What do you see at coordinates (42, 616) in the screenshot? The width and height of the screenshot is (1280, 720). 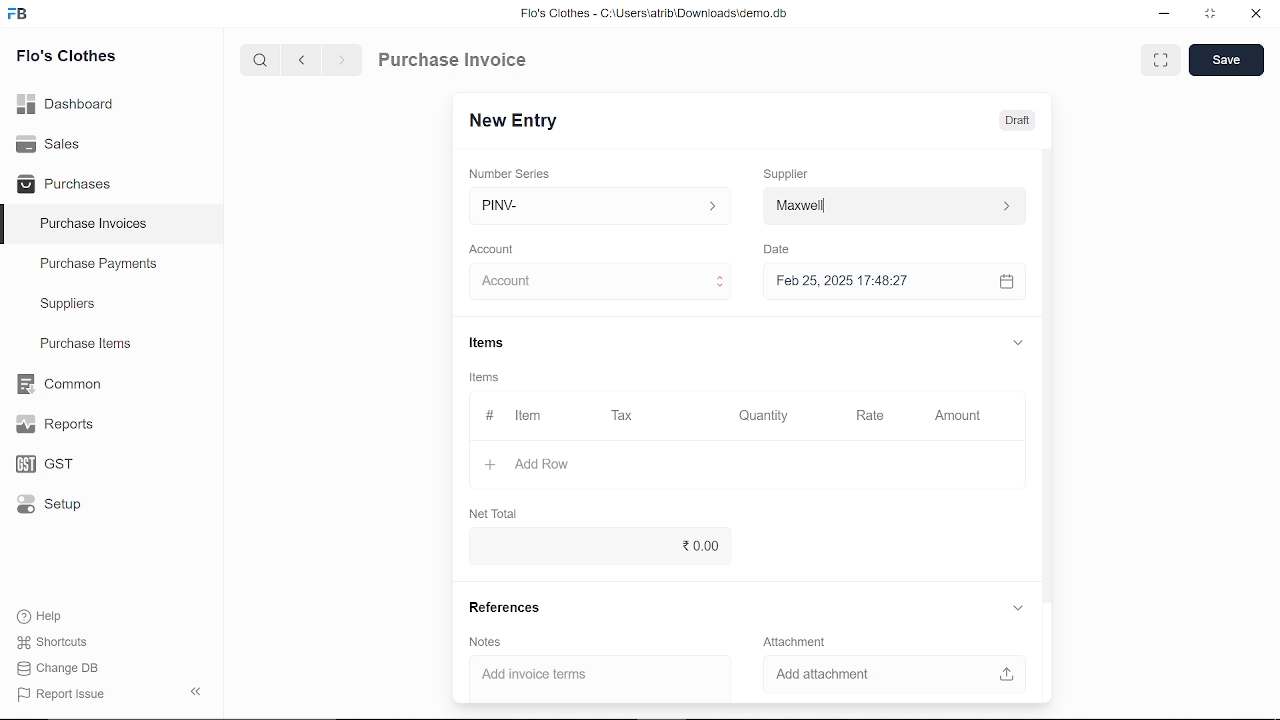 I see `Help` at bounding box center [42, 616].